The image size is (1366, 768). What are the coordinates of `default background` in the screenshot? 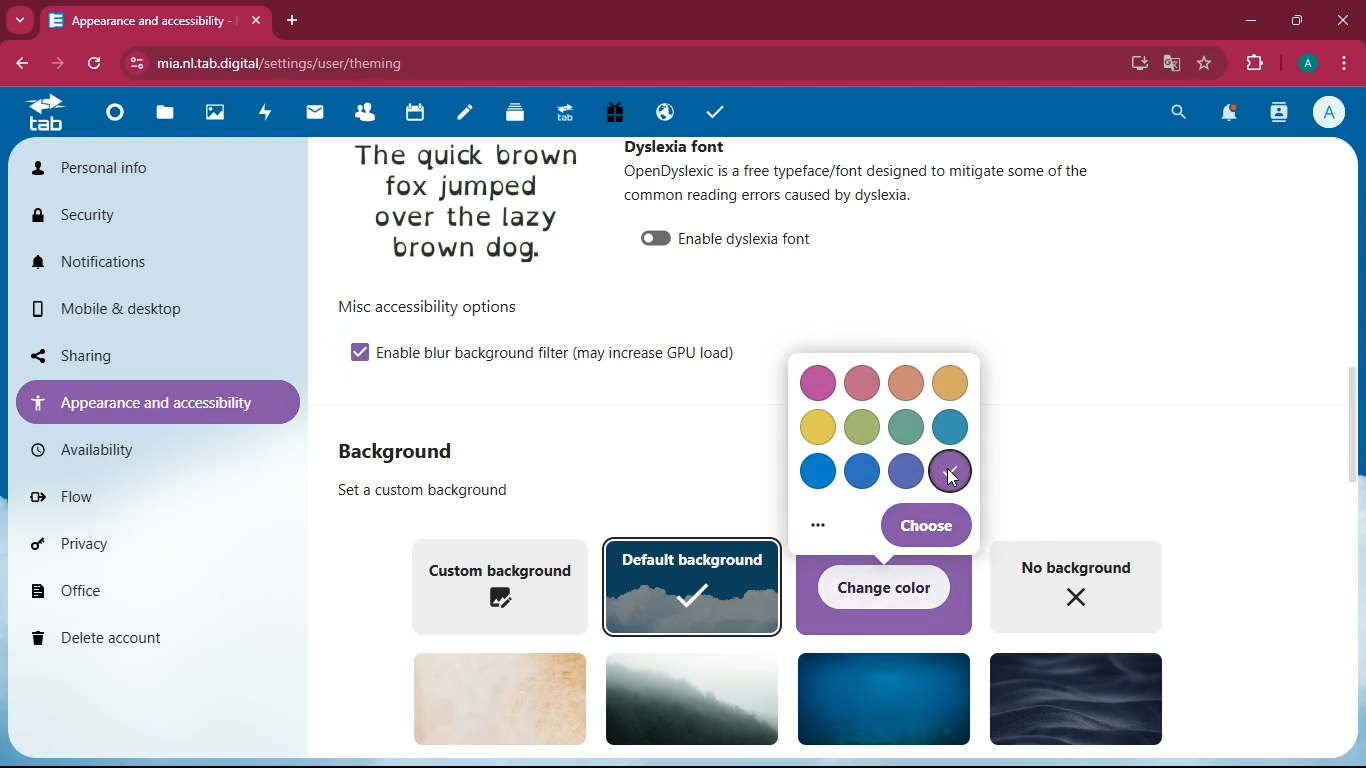 It's located at (694, 586).